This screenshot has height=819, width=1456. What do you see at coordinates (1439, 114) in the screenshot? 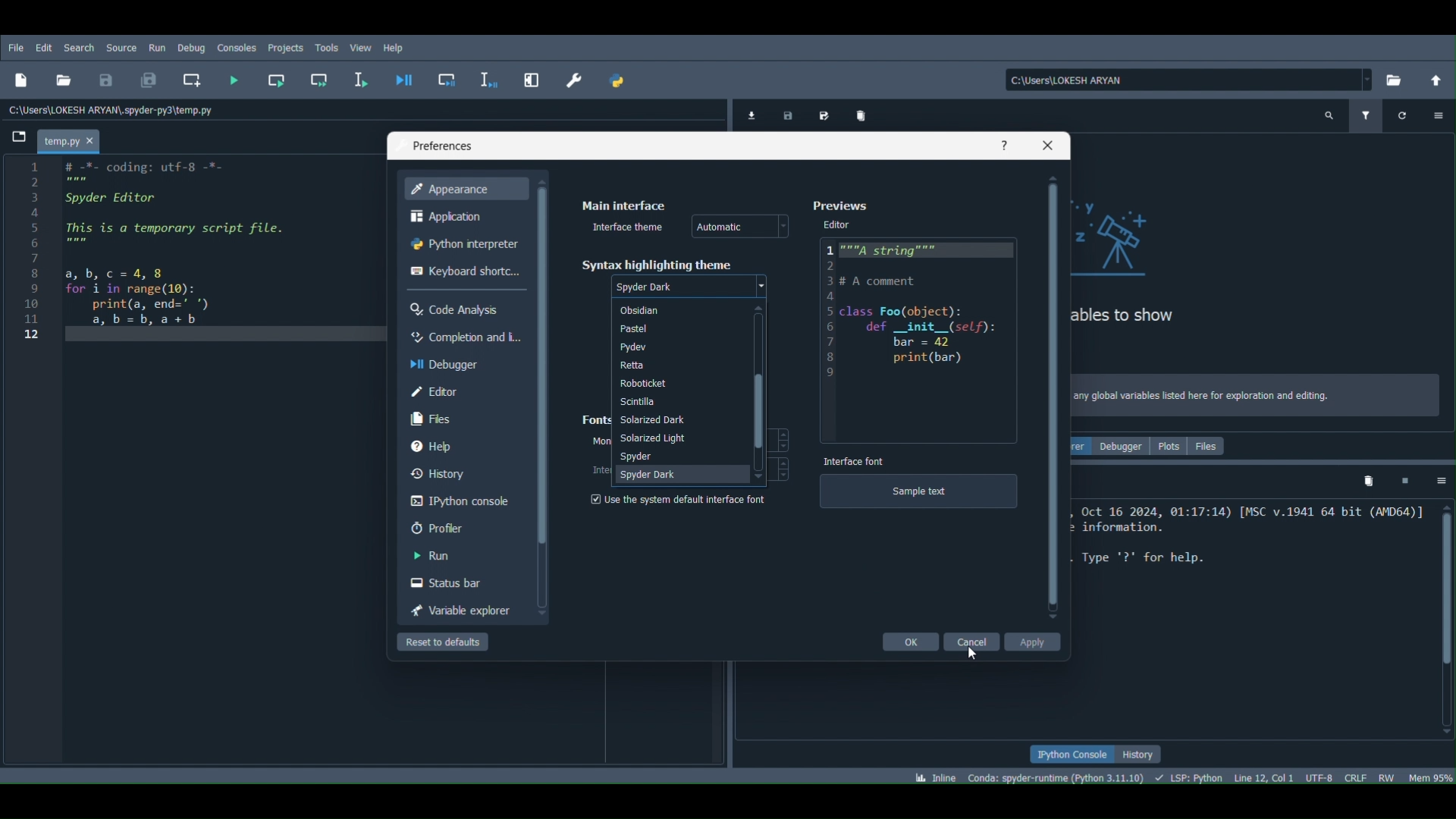
I see `Options` at bounding box center [1439, 114].